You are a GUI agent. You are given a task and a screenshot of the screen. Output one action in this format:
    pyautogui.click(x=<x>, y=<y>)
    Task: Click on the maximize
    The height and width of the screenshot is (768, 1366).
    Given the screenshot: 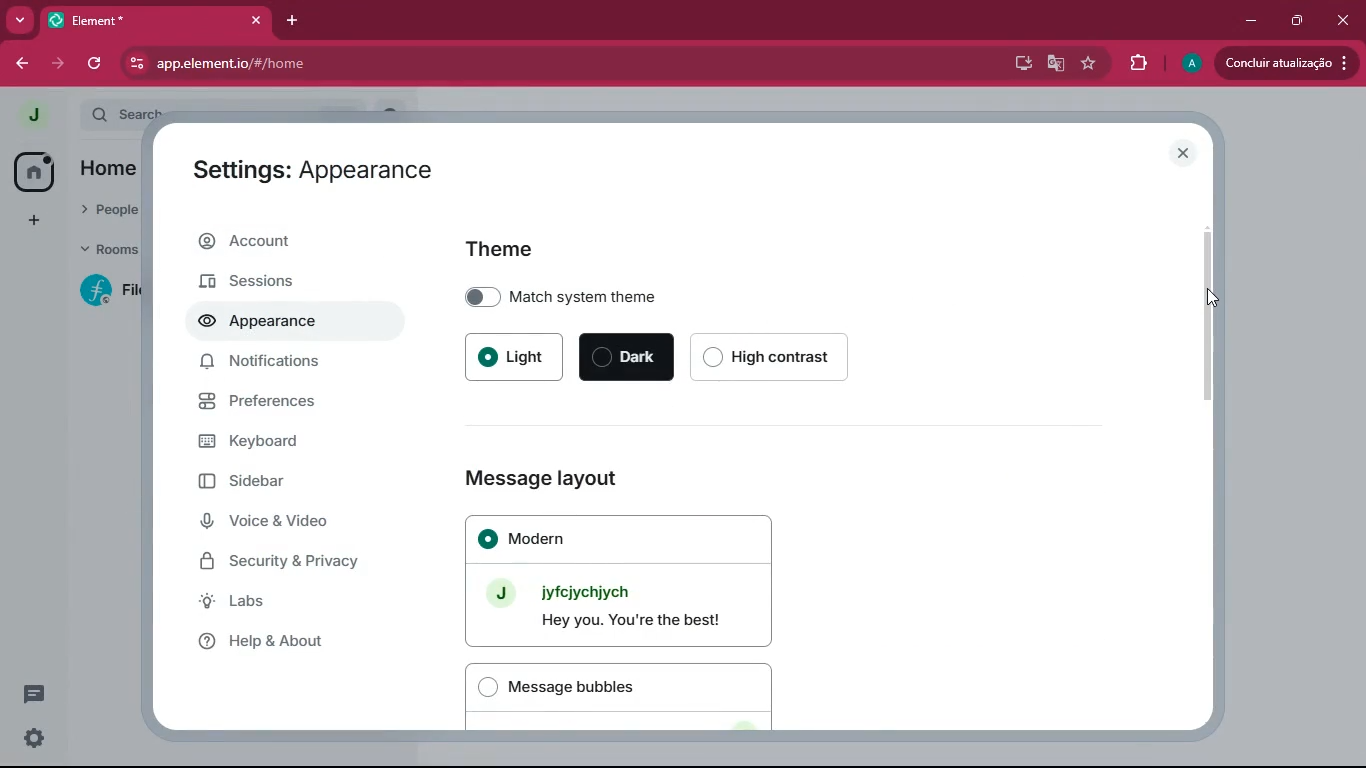 What is the action you would take?
    pyautogui.click(x=1298, y=20)
    